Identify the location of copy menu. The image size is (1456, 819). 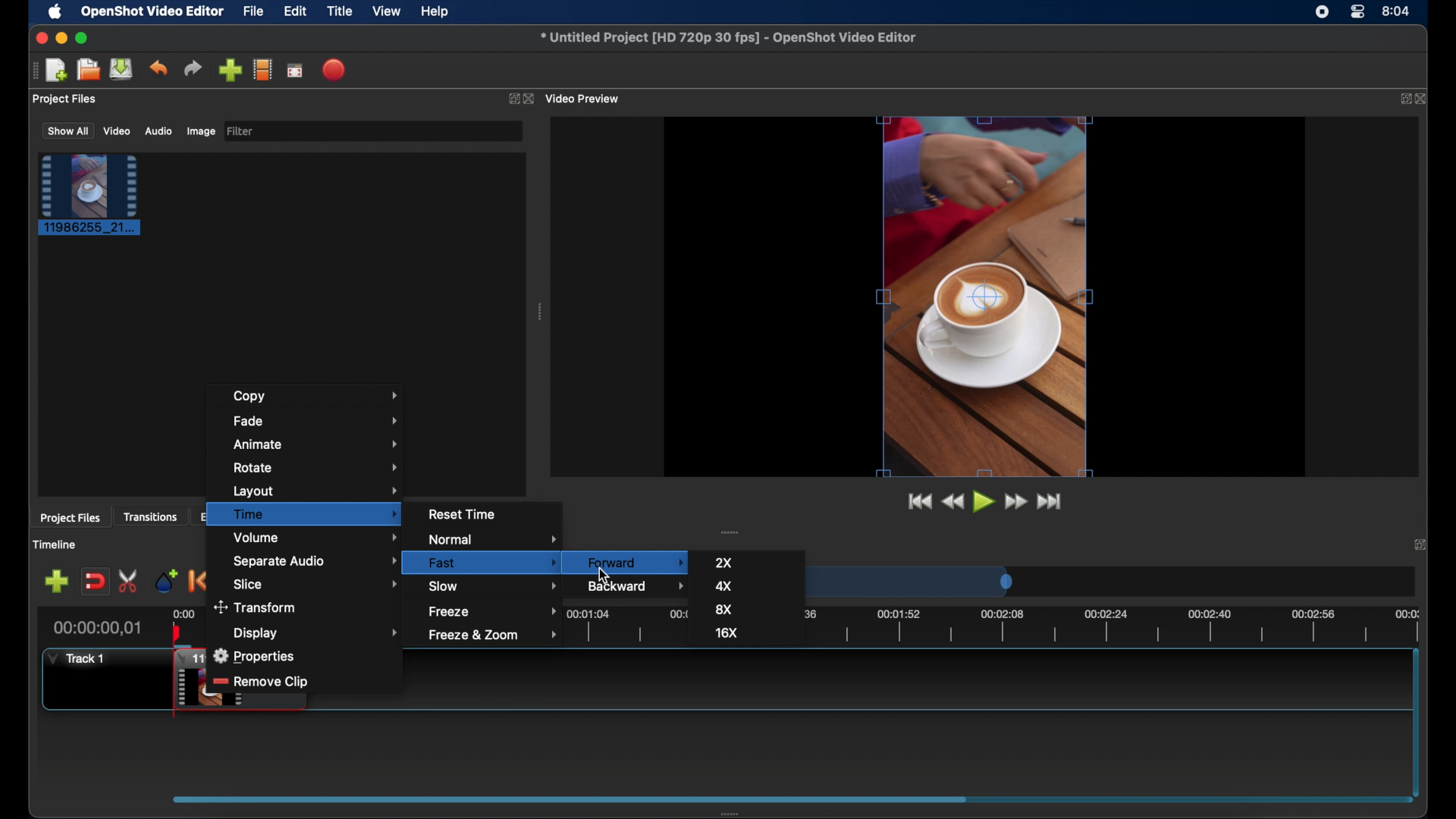
(316, 397).